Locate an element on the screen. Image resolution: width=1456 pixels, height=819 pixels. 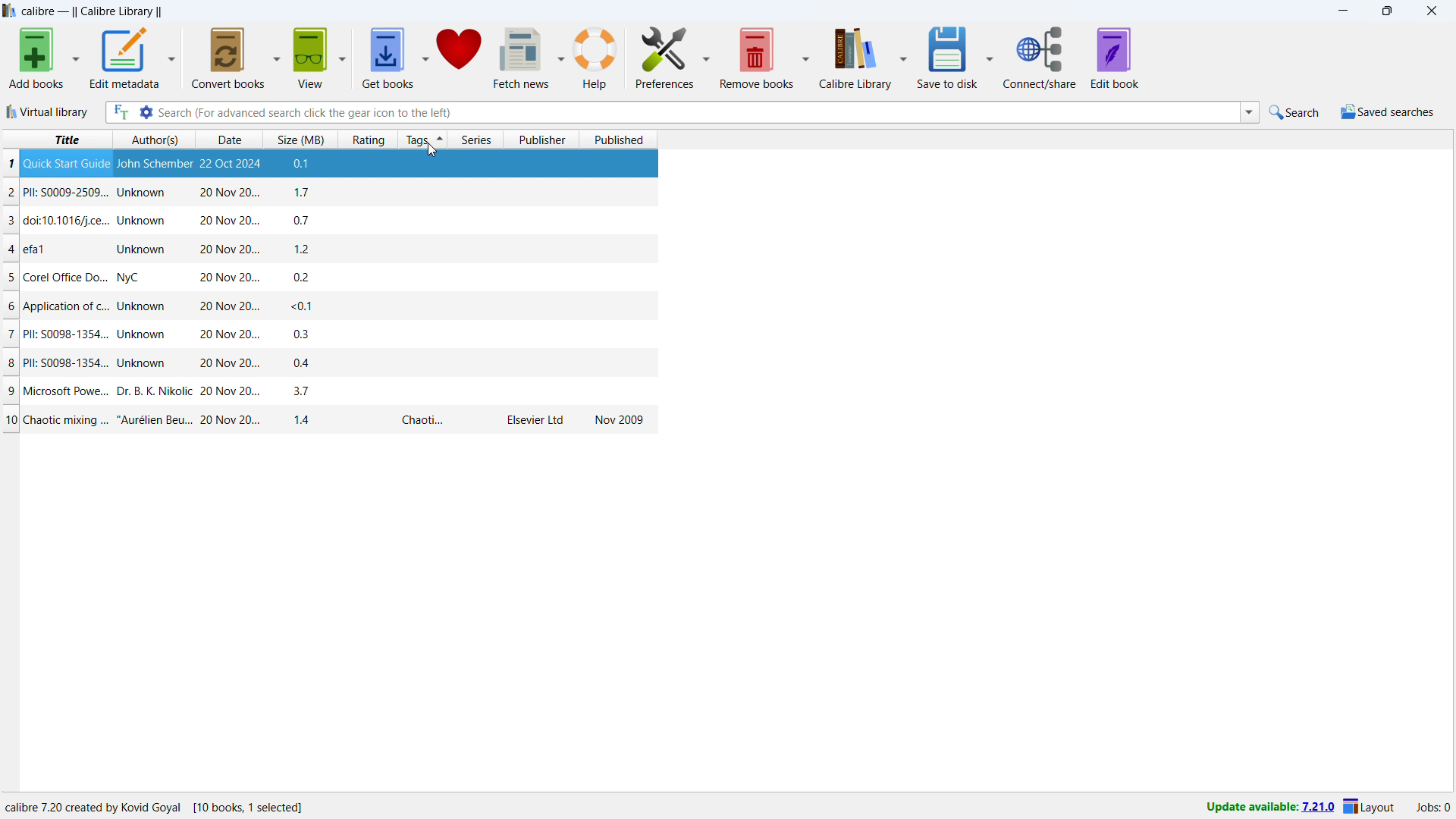
add books options is located at coordinates (75, 57).